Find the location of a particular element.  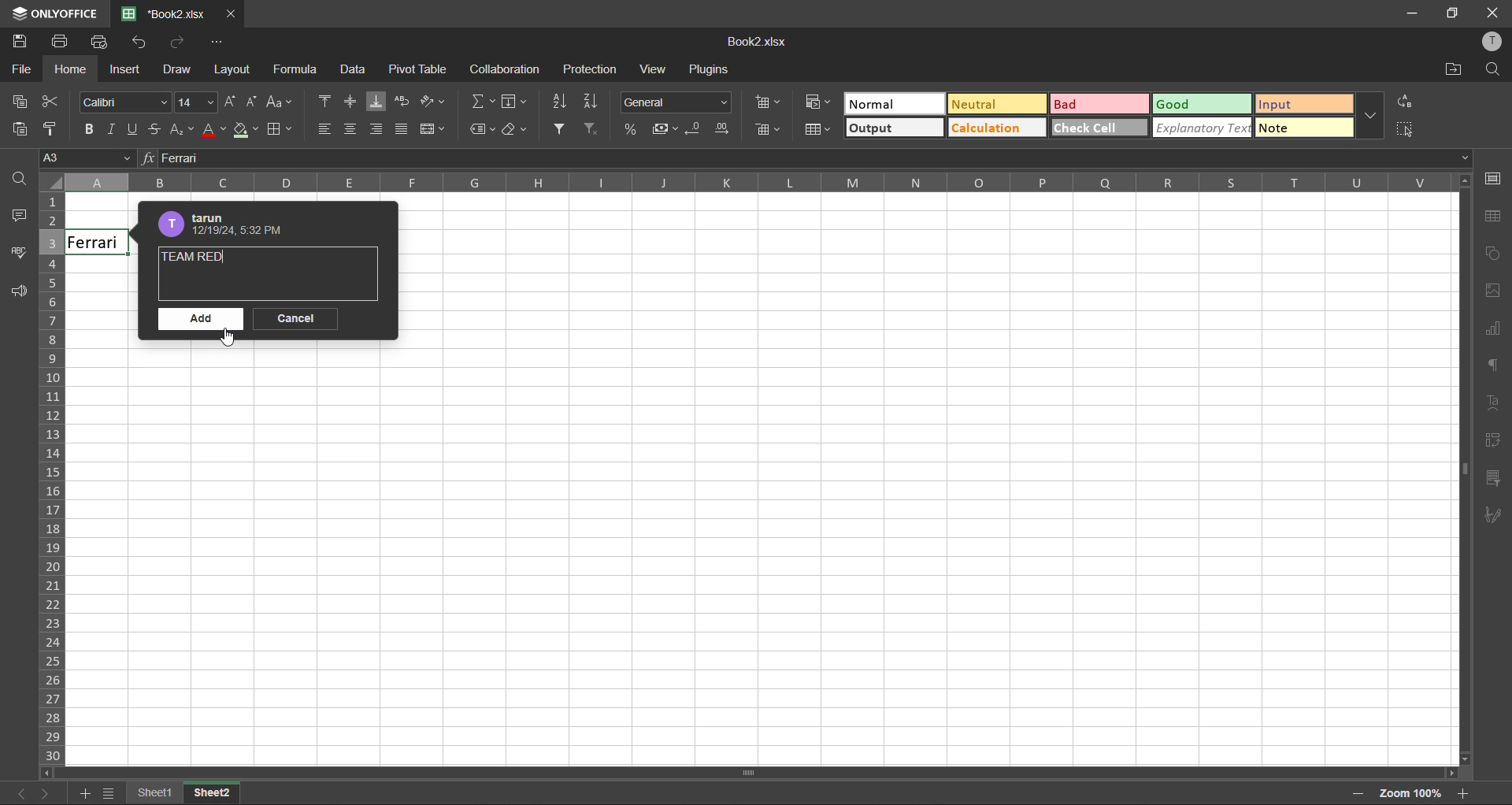

font style is located at coordinates (121, 101).